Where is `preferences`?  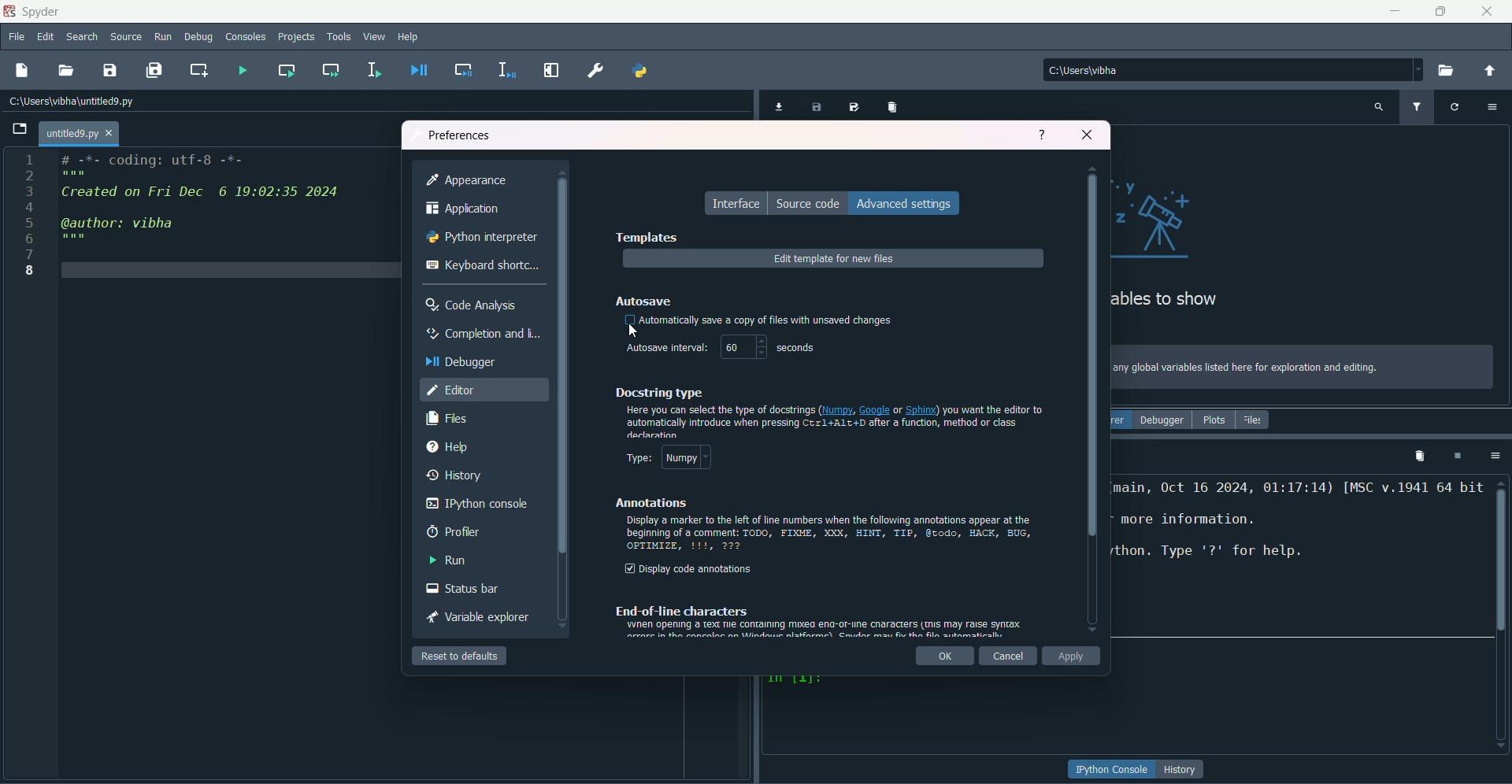 preferences is located at coordinates (594, 71).